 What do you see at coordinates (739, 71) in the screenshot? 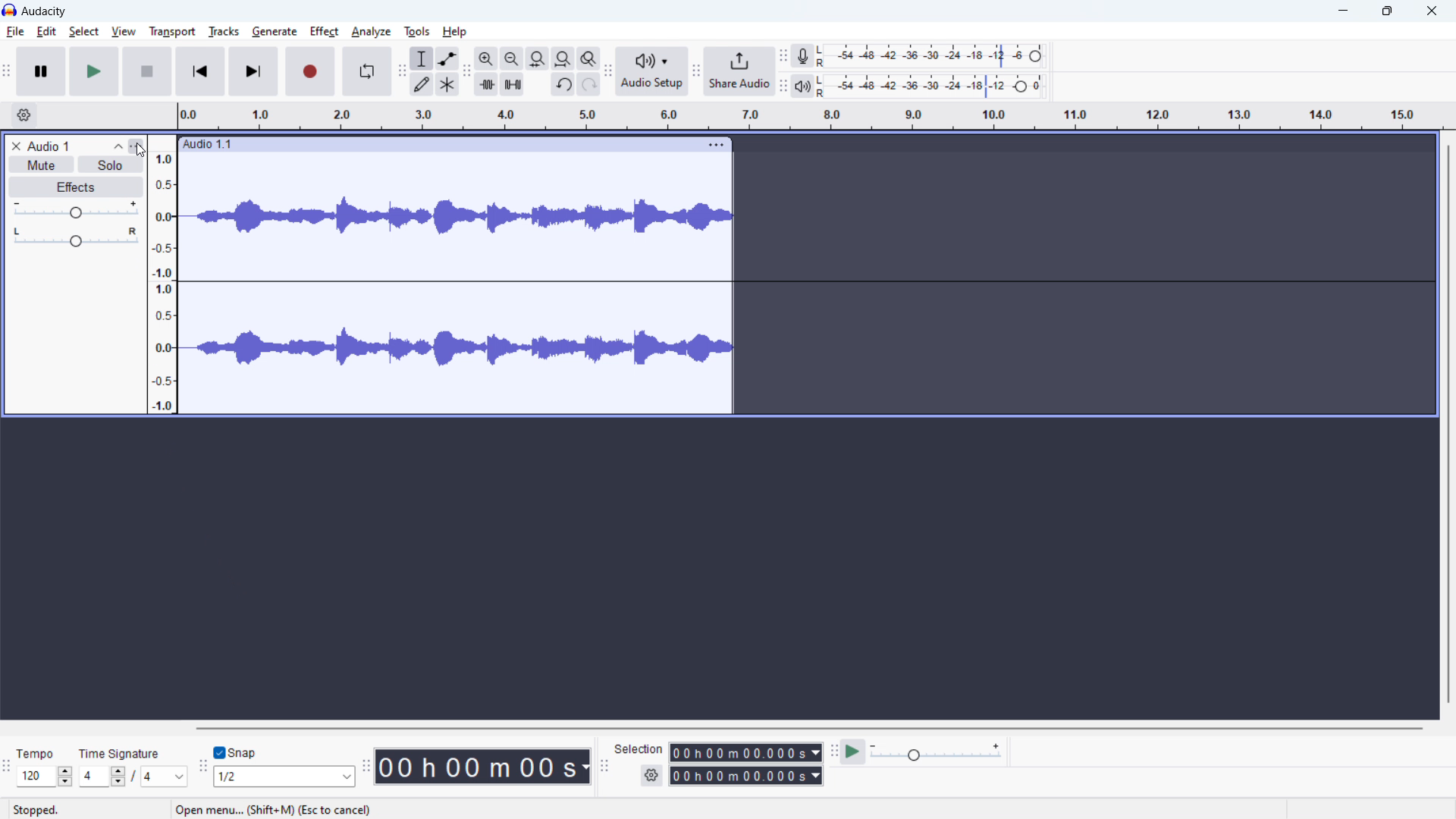
I see `share audio` at bounding box center [739, 71].